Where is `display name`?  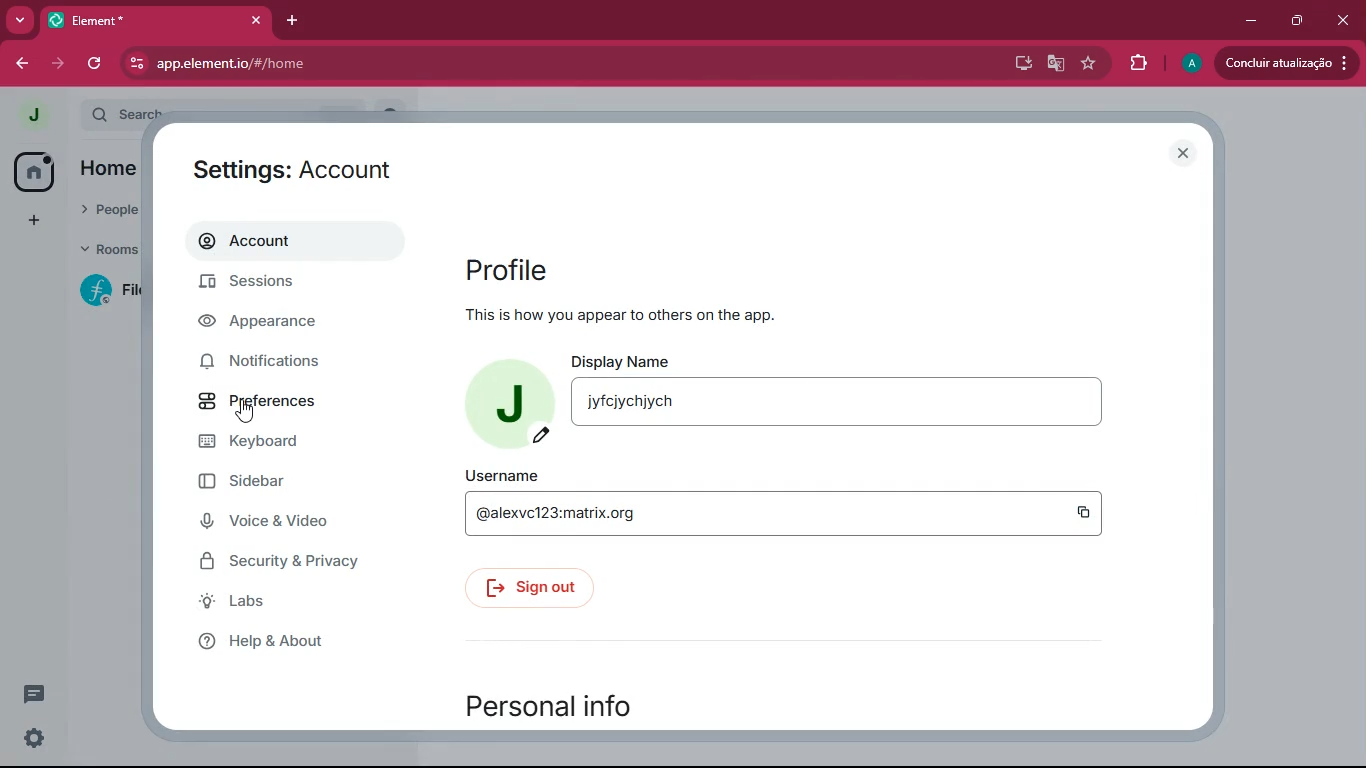
display name is located at coordinates (624, 361).